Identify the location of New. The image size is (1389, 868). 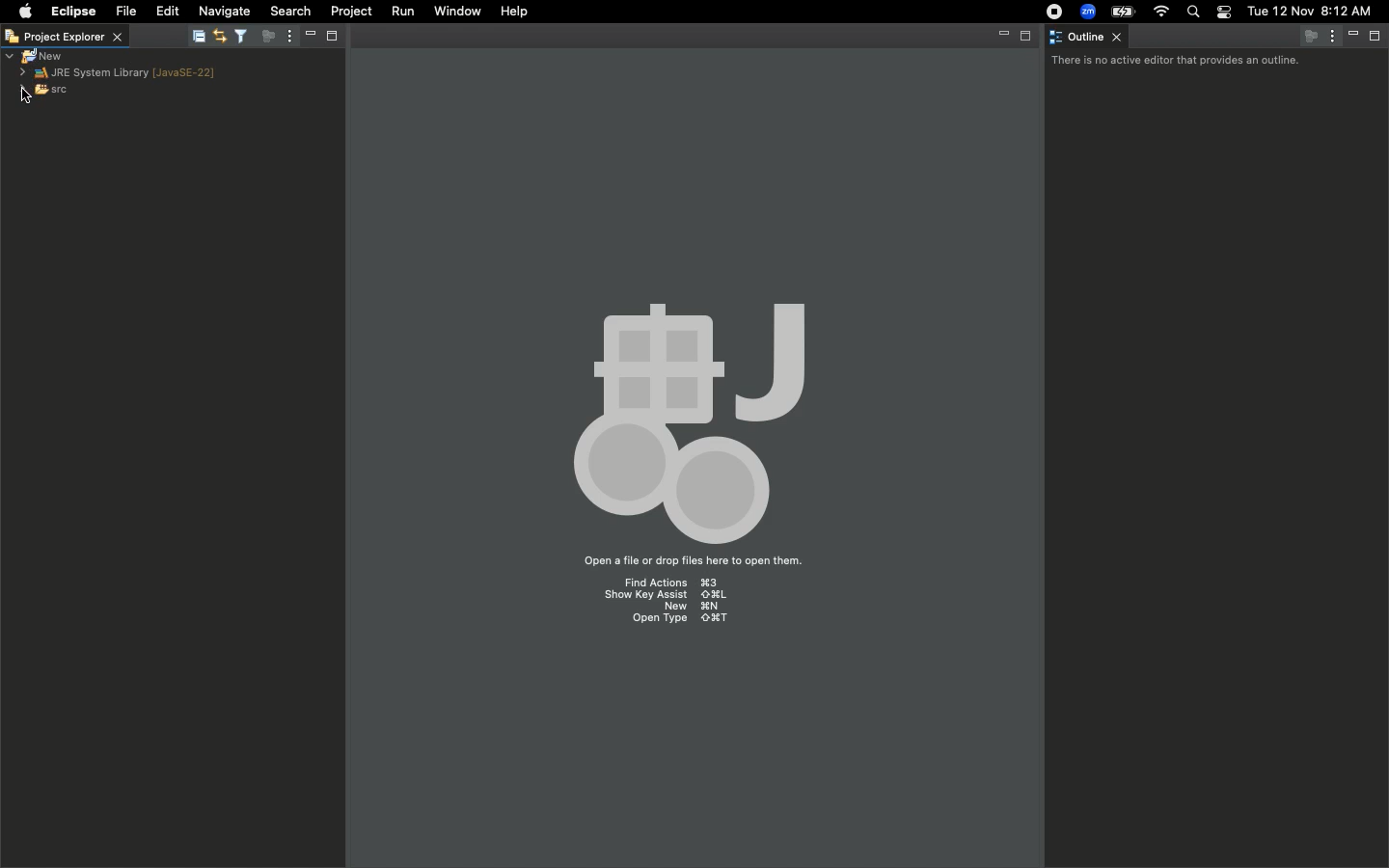
(693, 608).